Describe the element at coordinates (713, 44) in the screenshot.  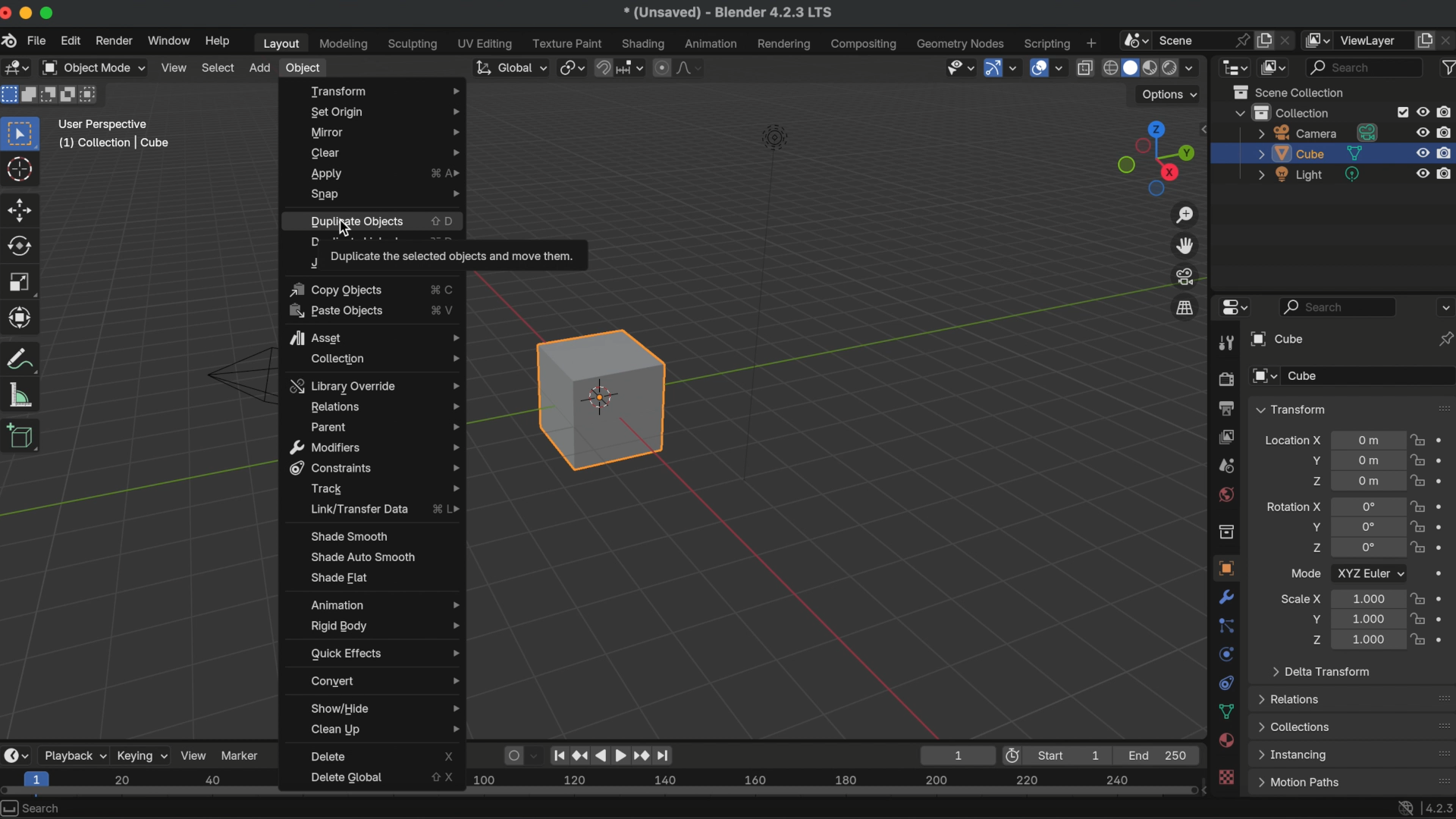
I see `animation` at that location.